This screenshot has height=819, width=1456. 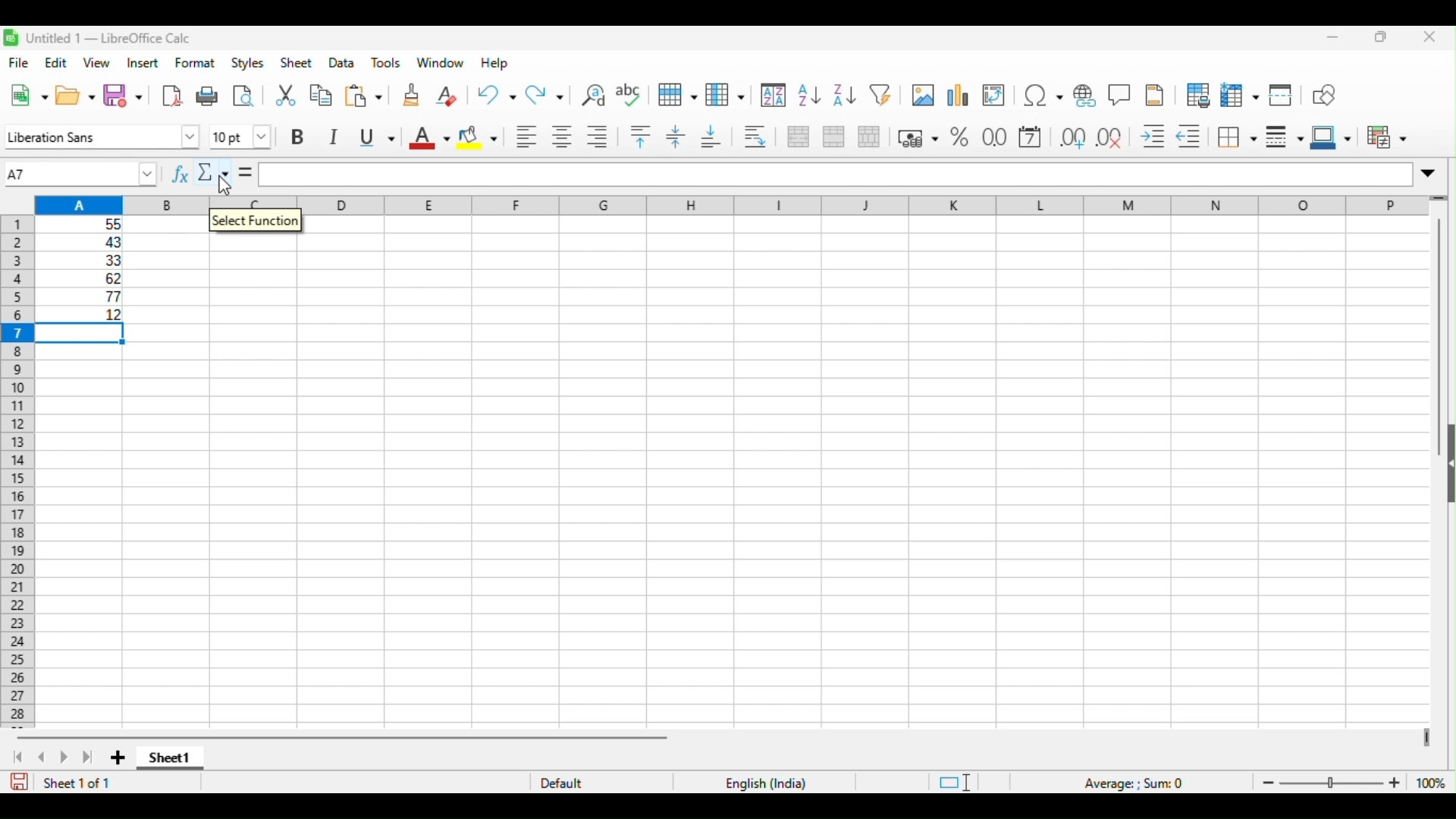 I want to click on show or hide sidebar, so click(x=1447, y=467).